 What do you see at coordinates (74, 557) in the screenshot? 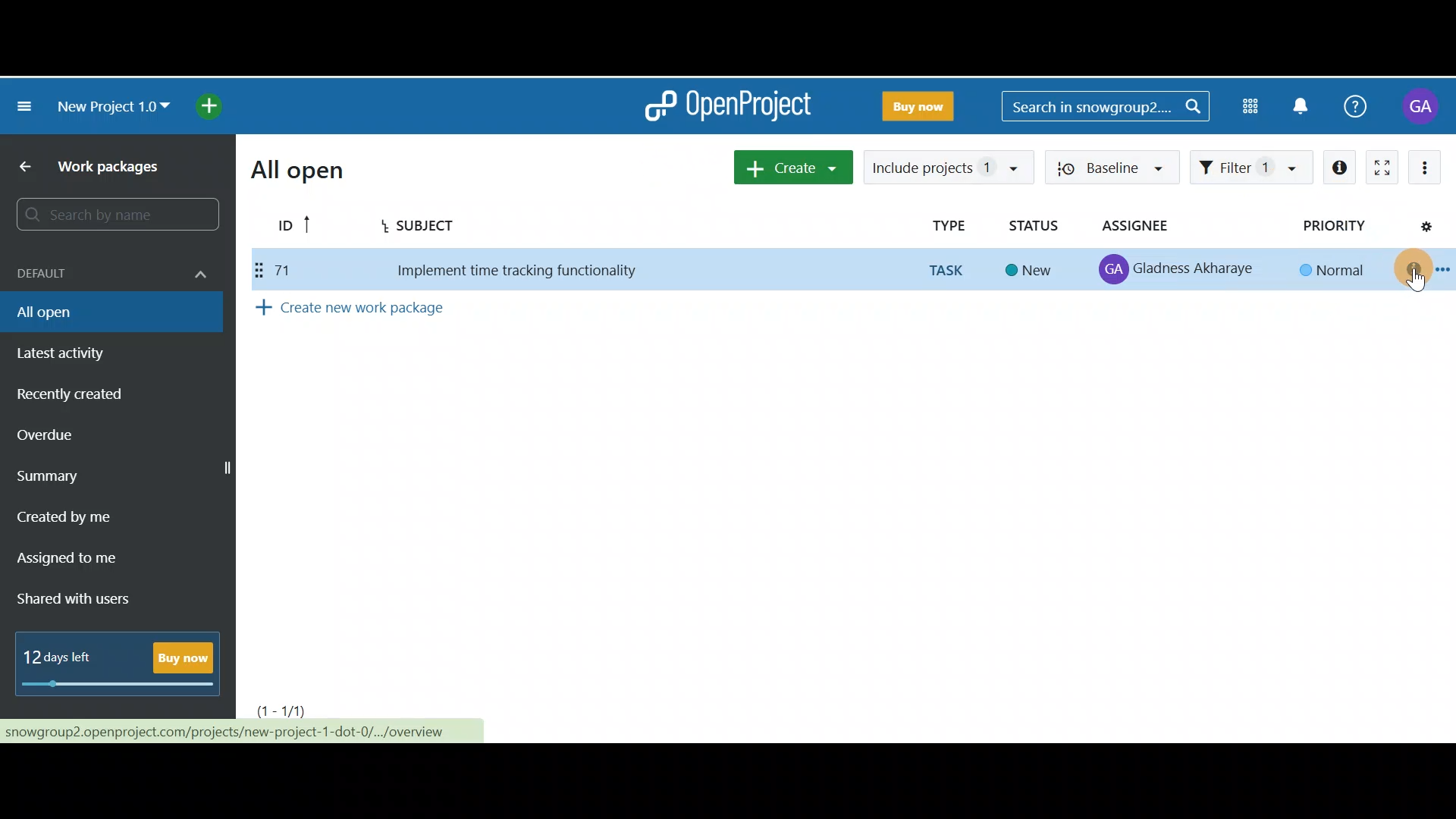
I see `Assigned to me` at bounding box center [74, 557].